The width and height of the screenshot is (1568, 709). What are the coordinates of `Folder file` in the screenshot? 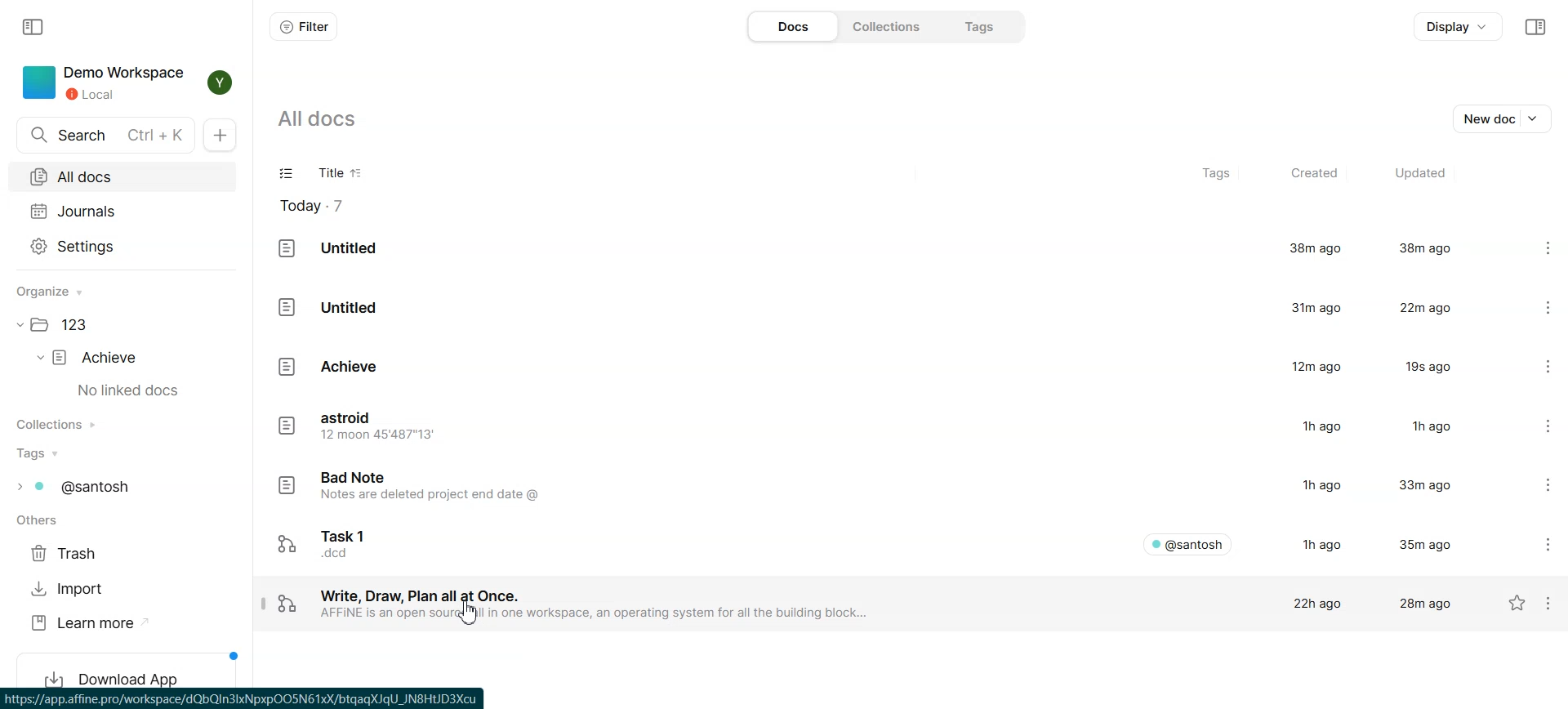 It's located at (68, 326).